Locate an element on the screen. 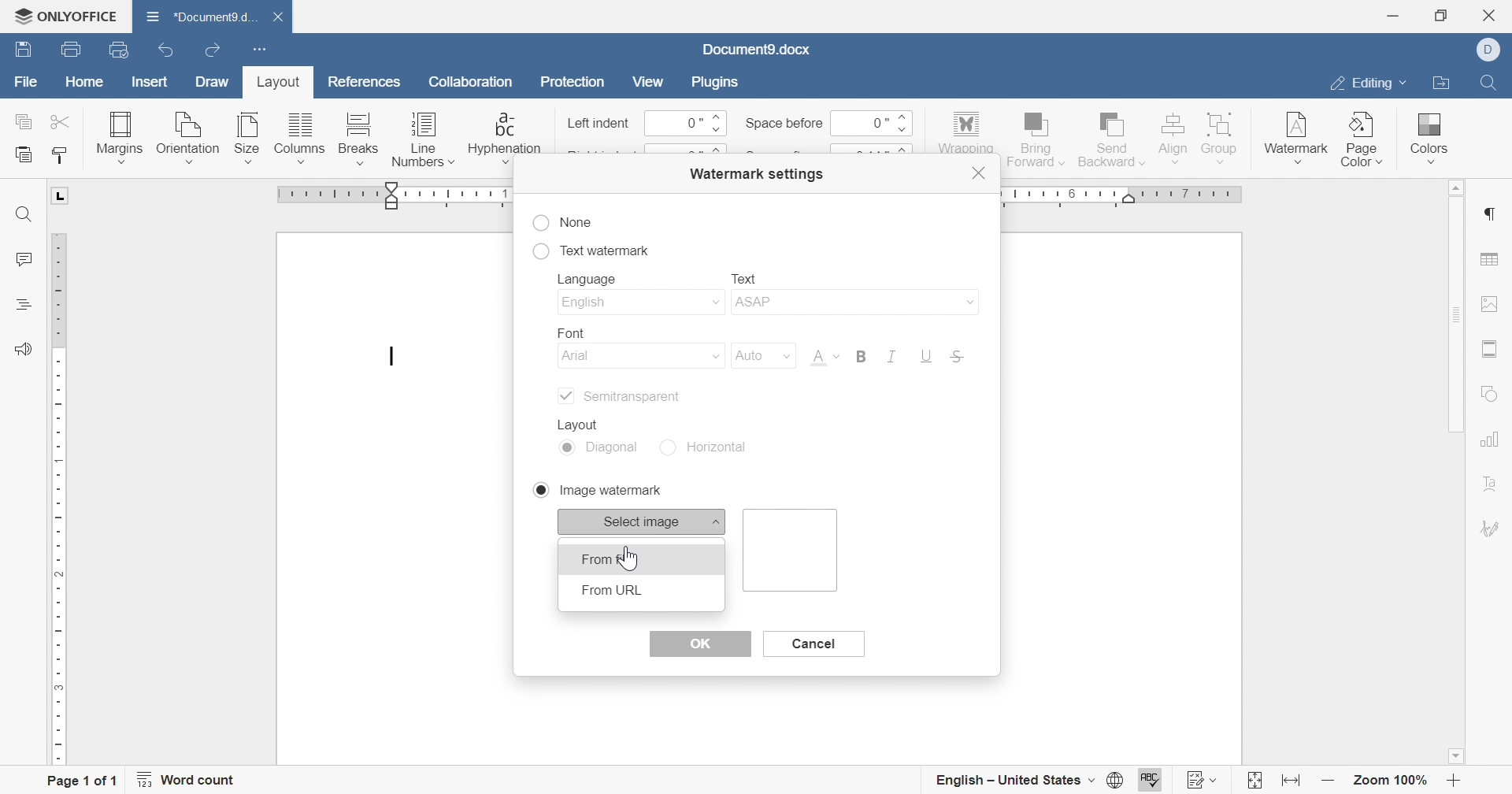 The height and width of the screenshot is (794, 1512). insert is located at coordinates (146, 83).